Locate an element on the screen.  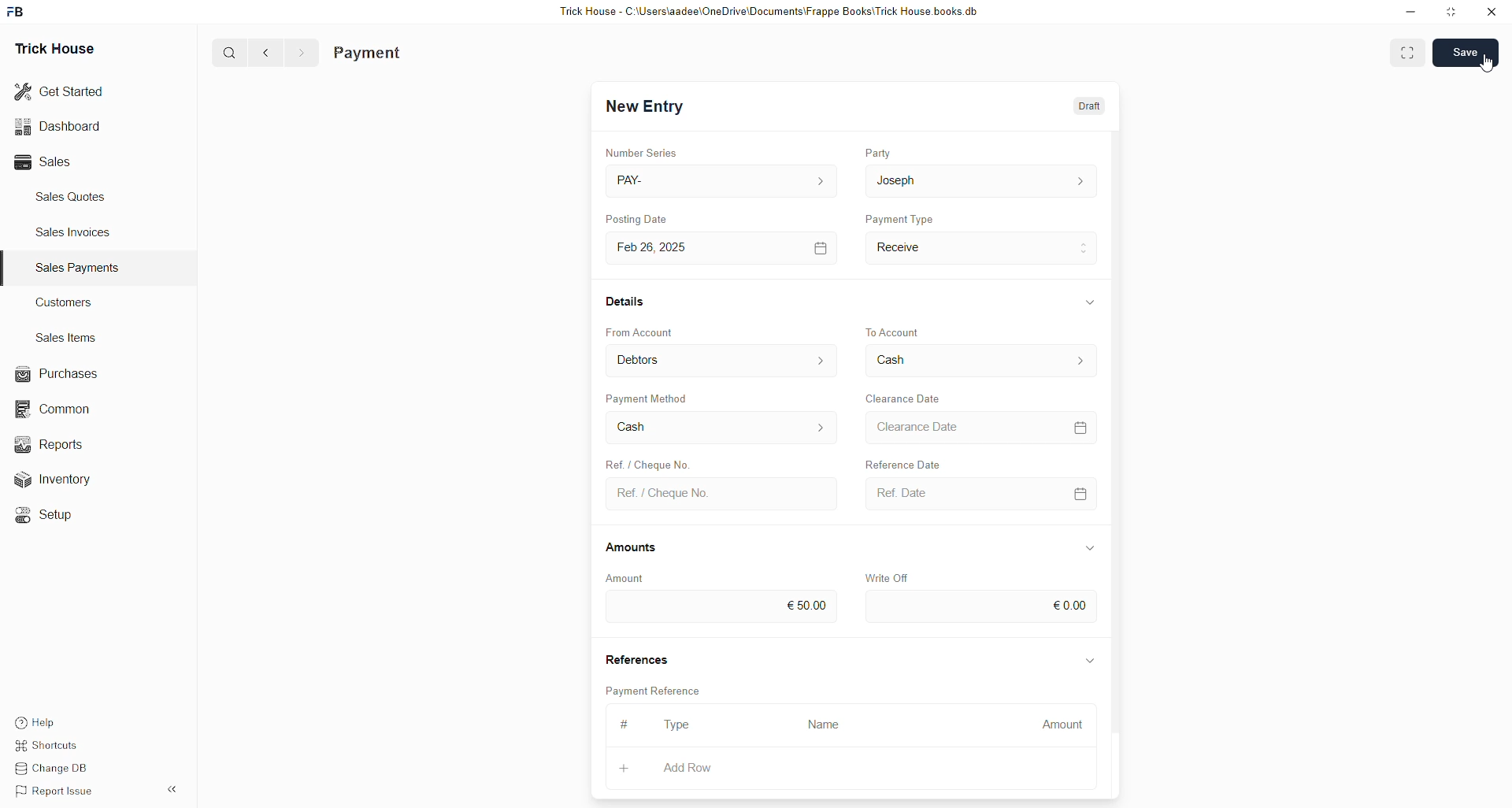
To Account is located at coordinates (895, 332).